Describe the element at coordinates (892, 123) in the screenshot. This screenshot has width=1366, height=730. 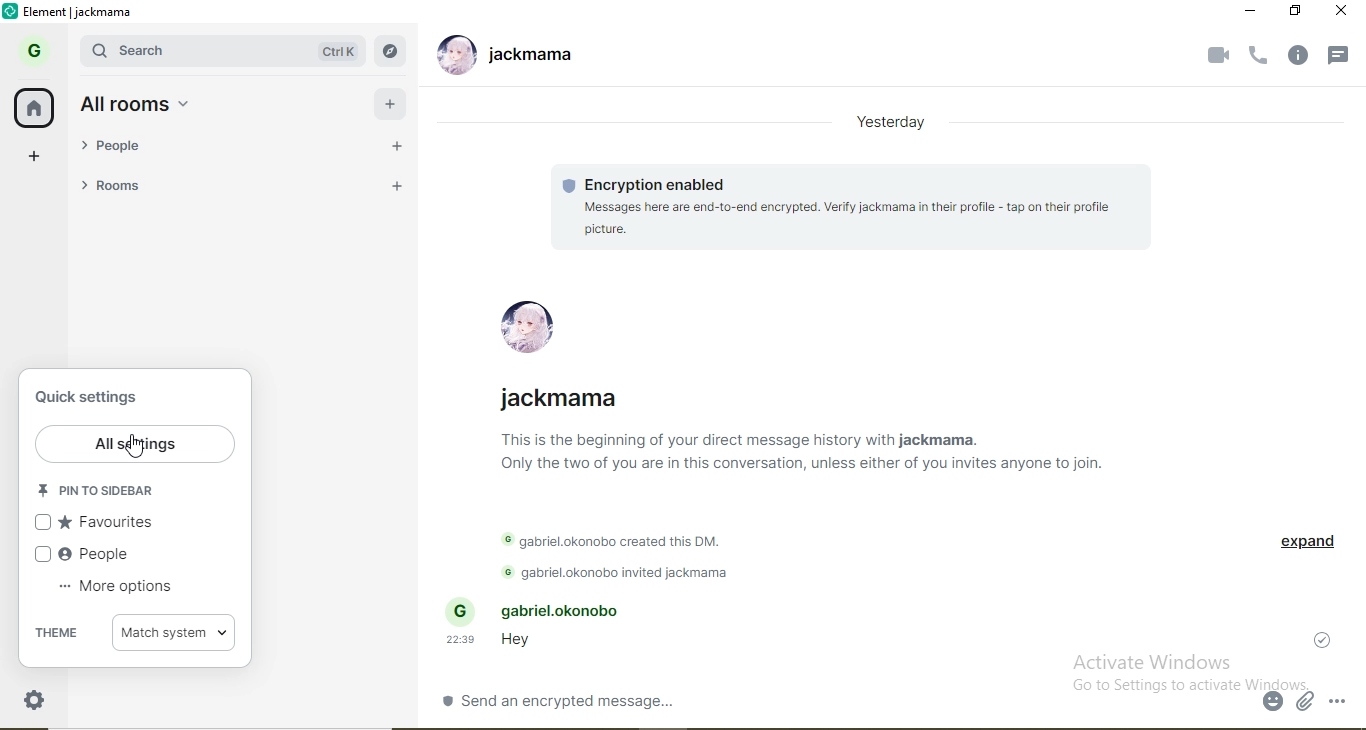
I see `yesterday` at that location.